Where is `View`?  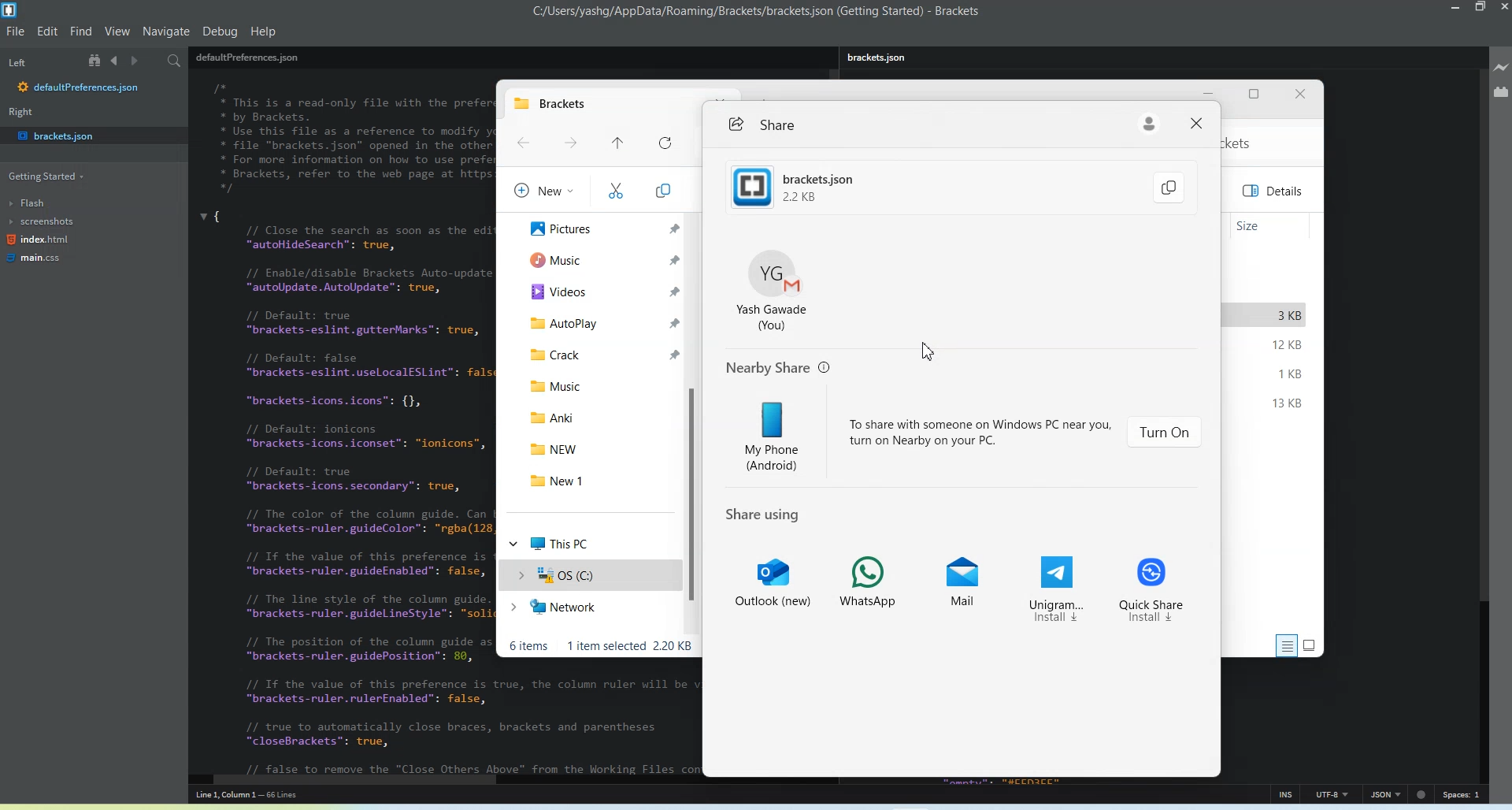
View is located at coordinates (117, 32).